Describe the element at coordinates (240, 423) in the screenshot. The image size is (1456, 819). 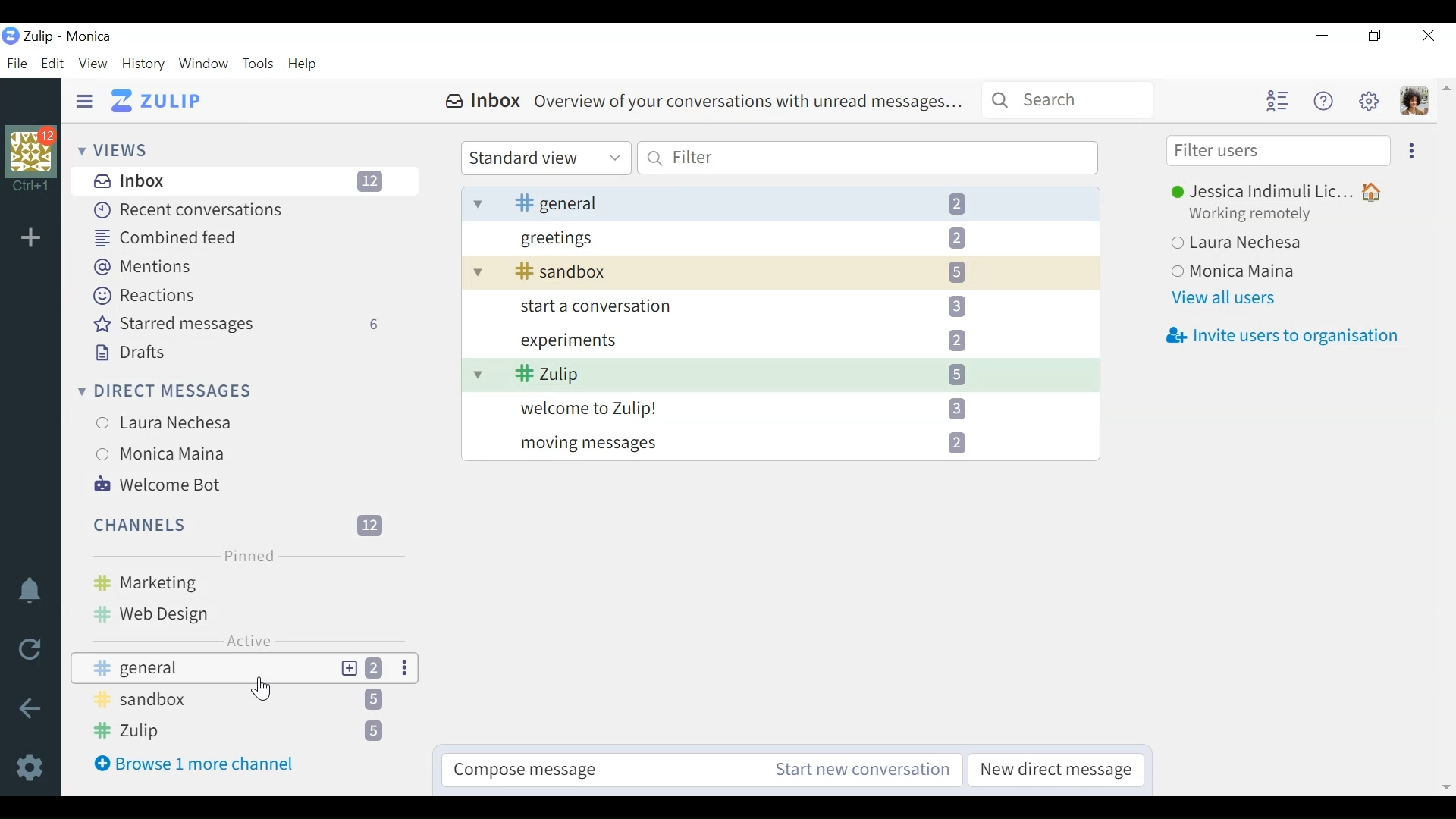
I see `Laura Nechesa` at that location.